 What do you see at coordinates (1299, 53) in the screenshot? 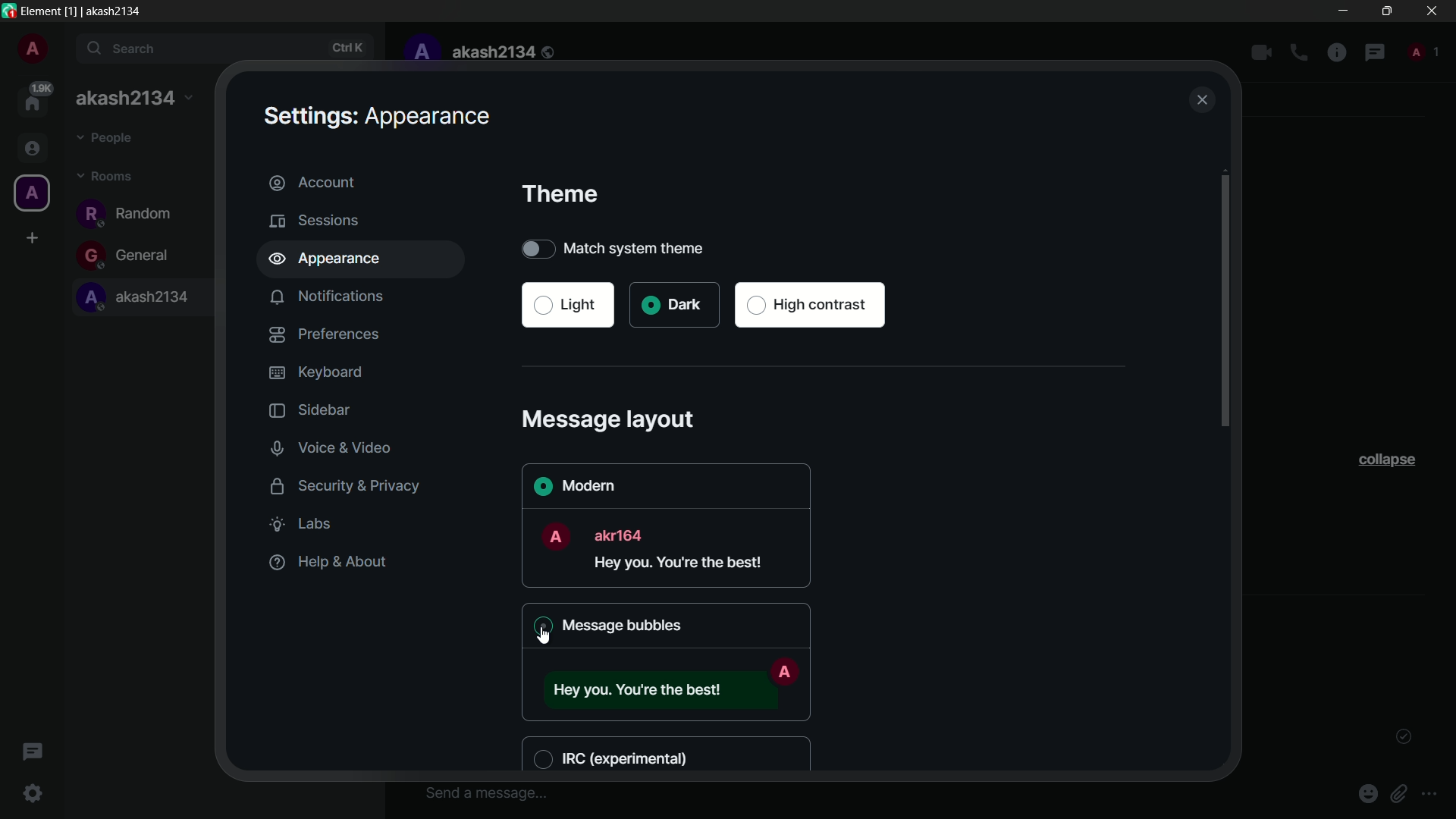
I see `add voice call` at bounding box center [1299, 53].